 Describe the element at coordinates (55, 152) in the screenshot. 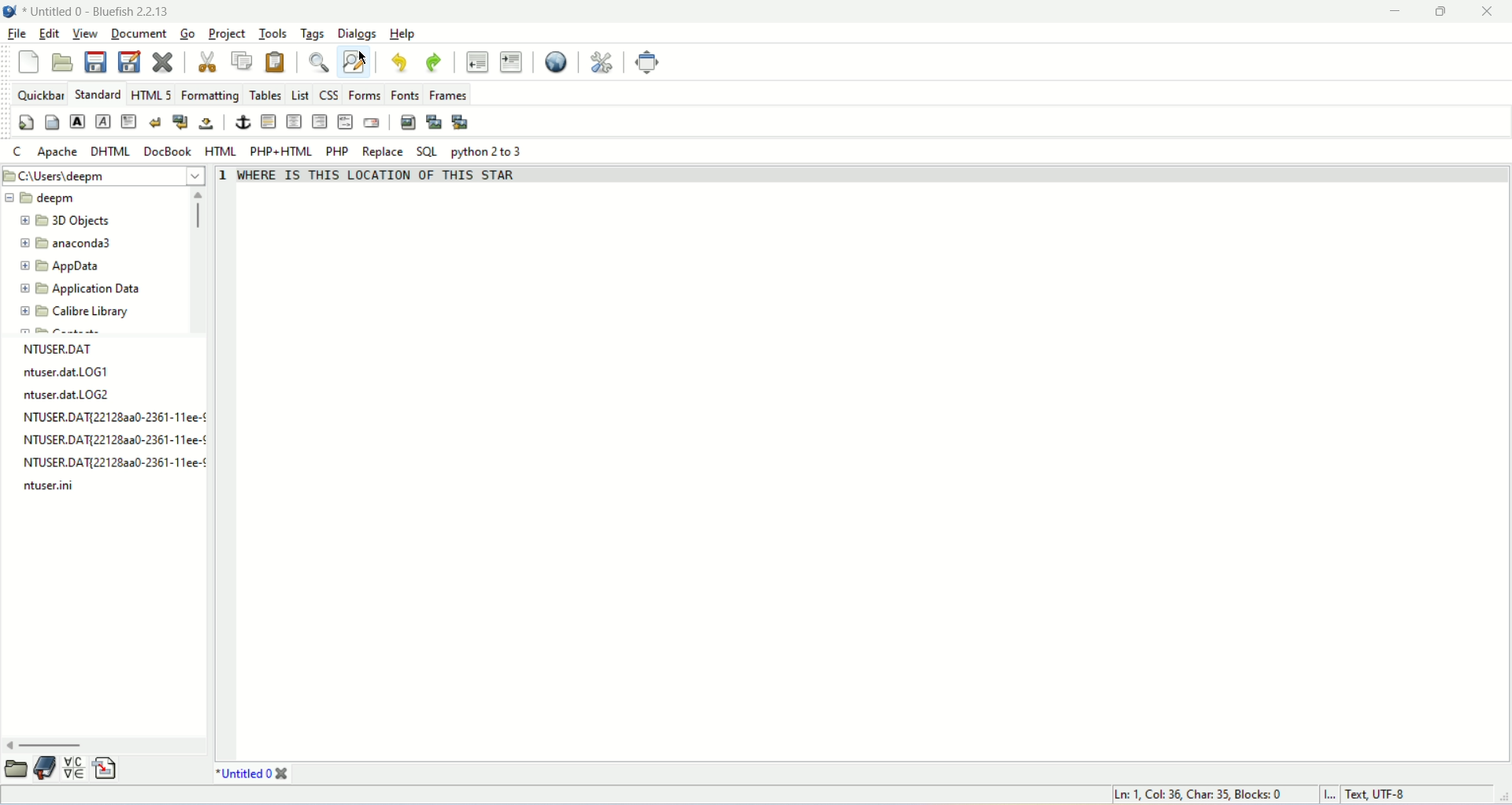

I see `Apache` at that location.